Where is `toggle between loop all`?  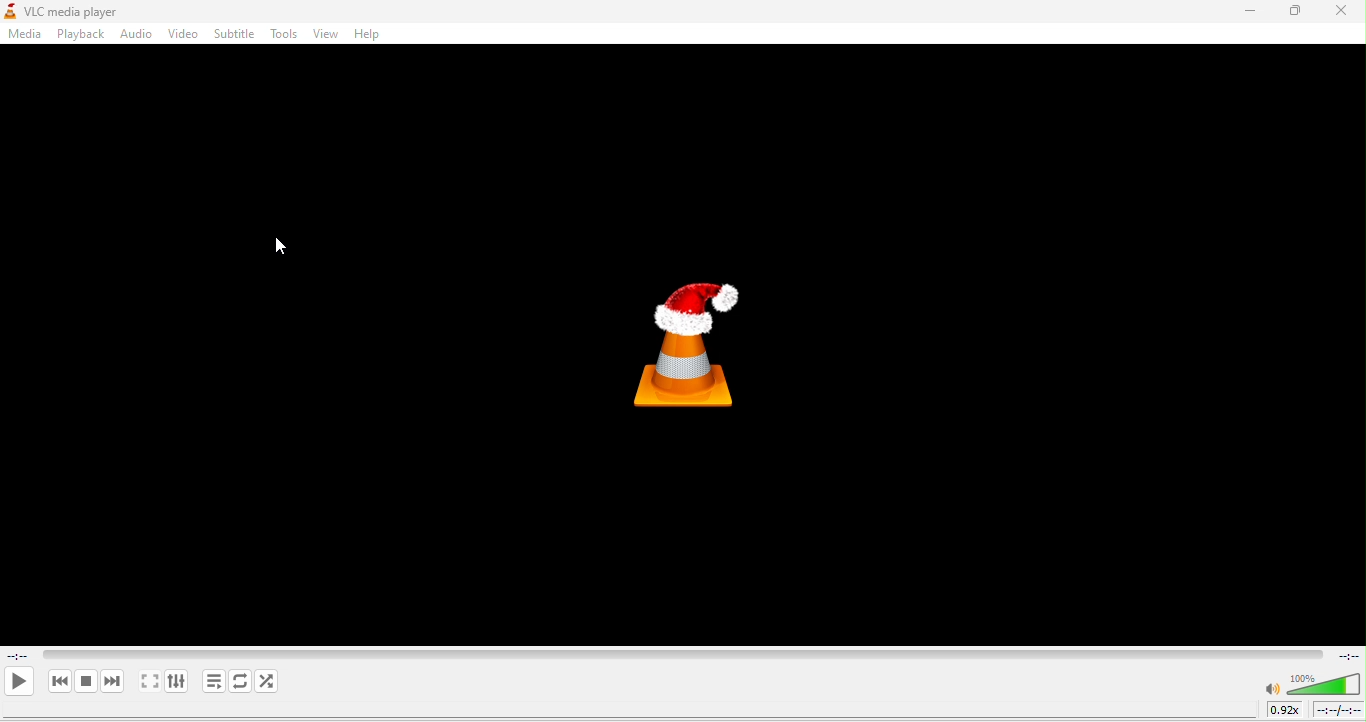
toggle between loop all is located at coordinates (241, 681).